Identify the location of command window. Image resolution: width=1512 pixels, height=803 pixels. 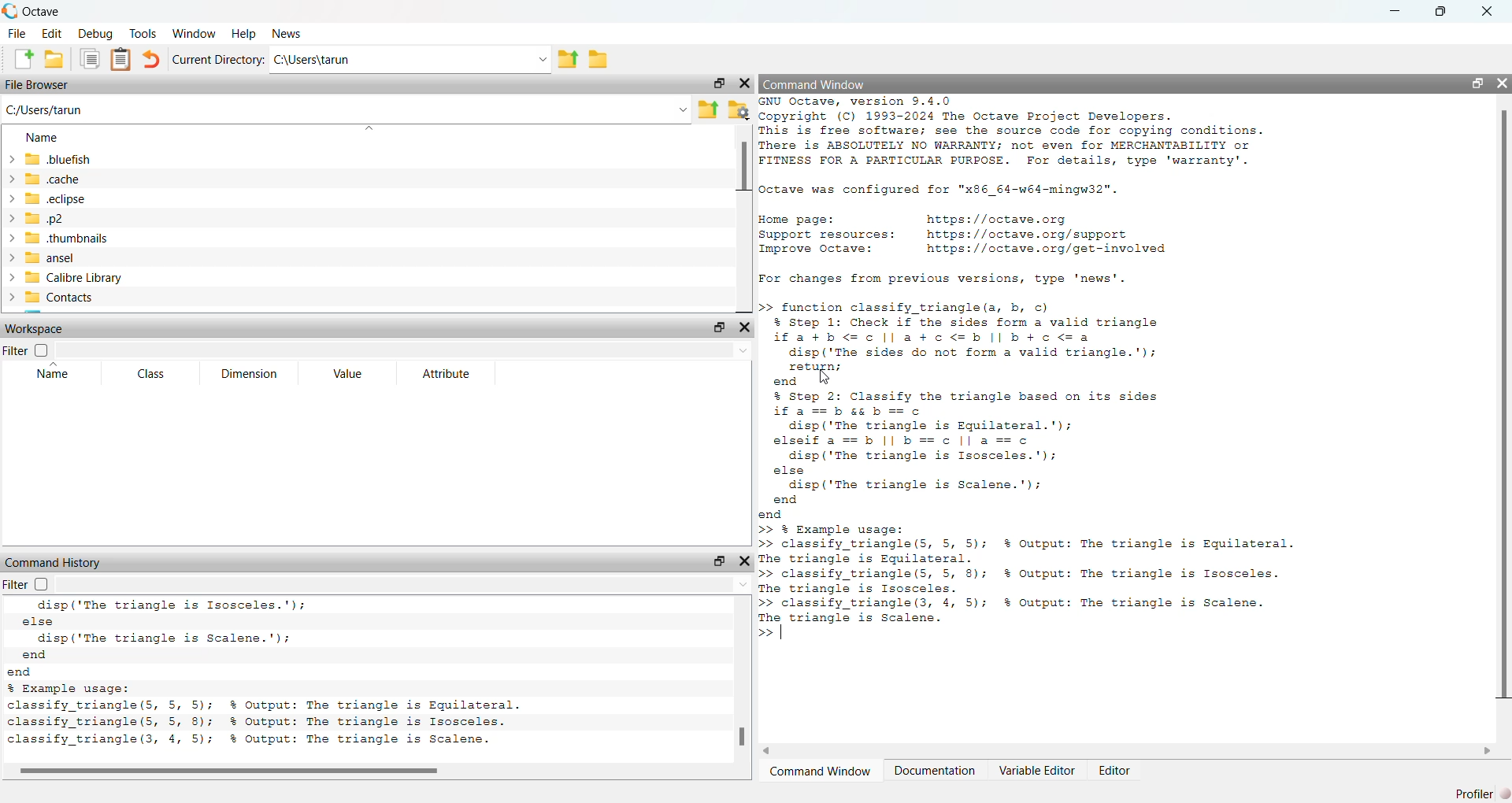
(817, 85).